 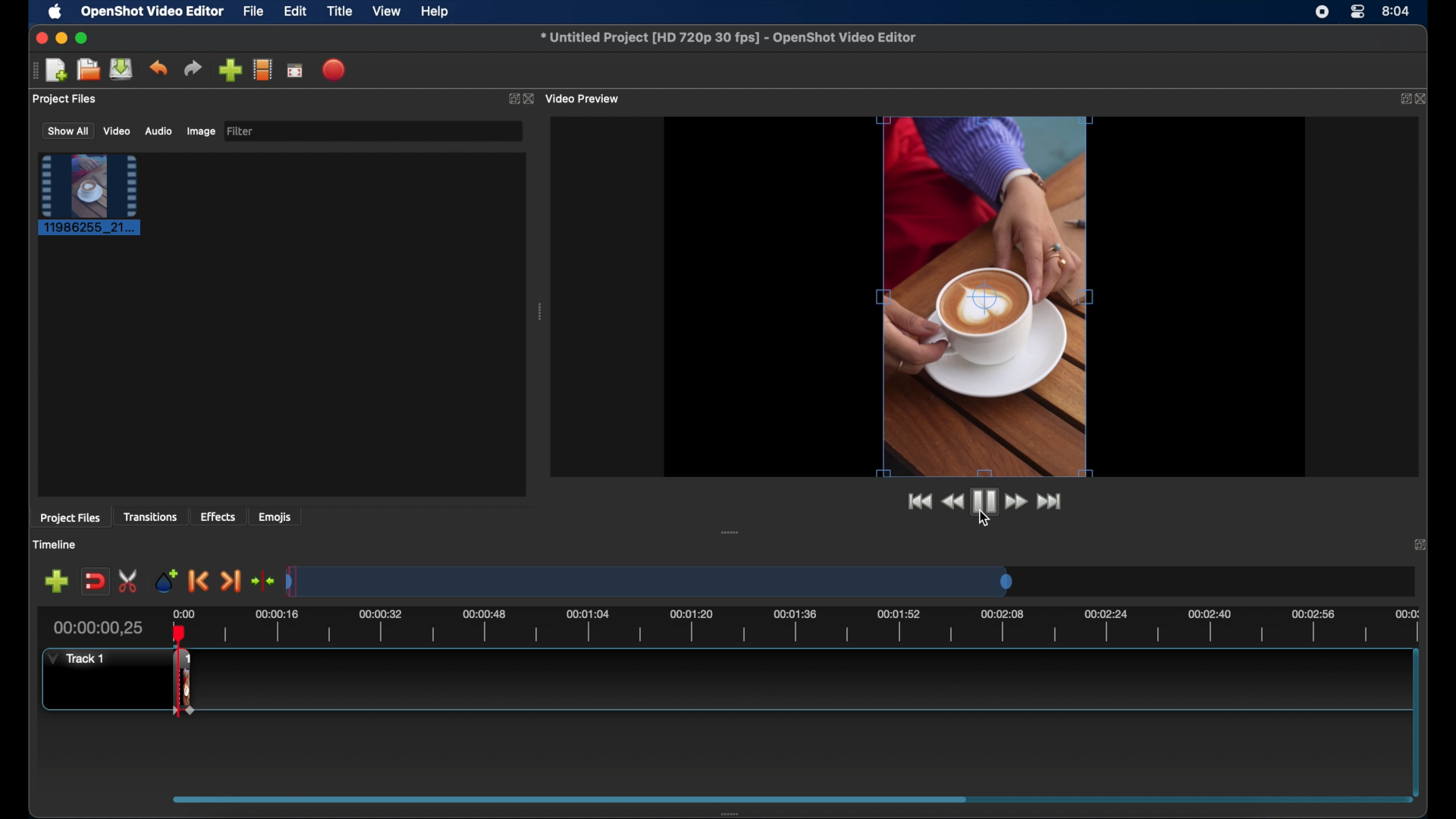 What do you see at coordinates (985, 501) in the screenshot?
I see `play ` at bounding box center [985, 501].